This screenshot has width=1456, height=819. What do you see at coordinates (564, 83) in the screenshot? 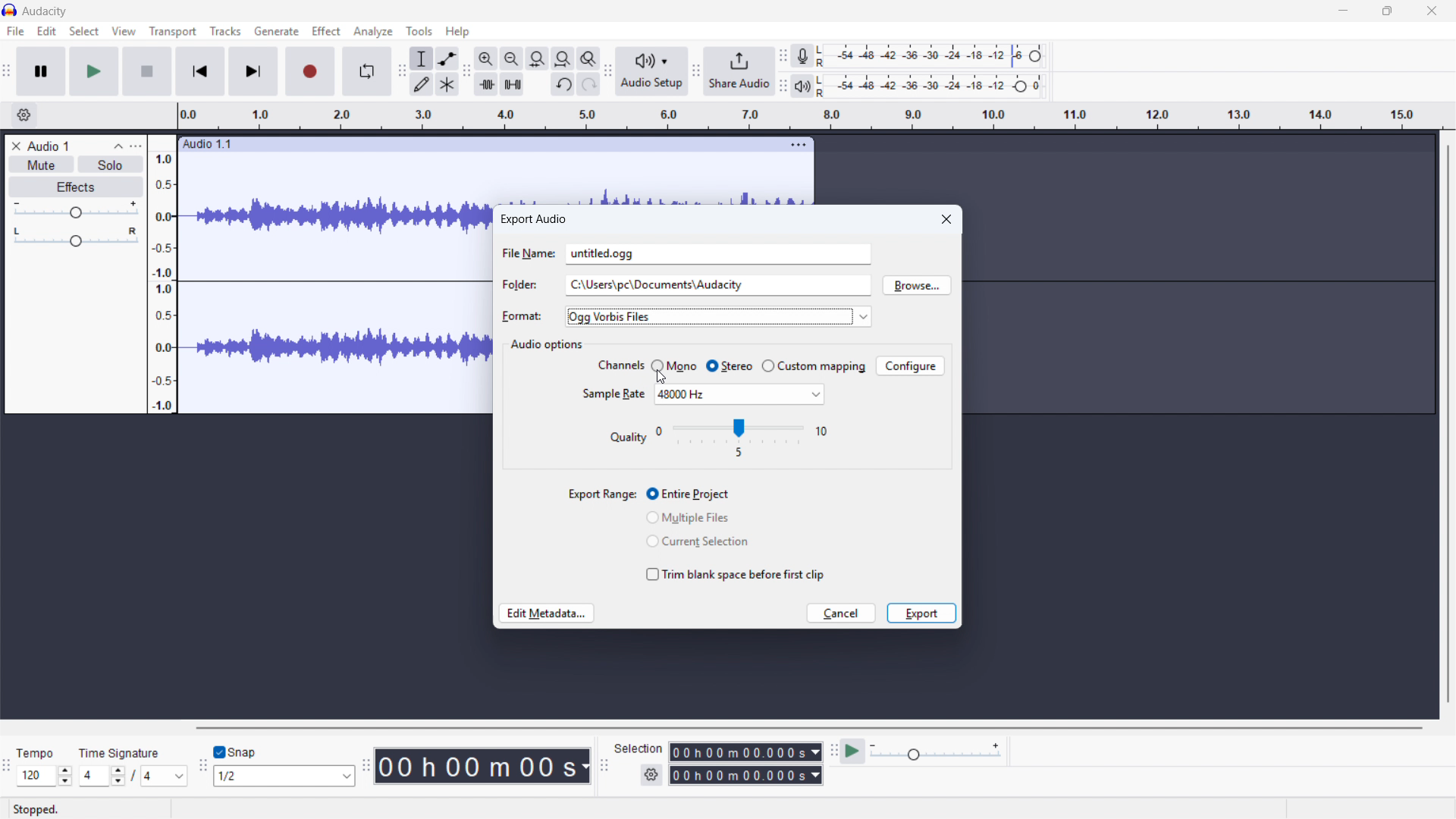
I see `Undo ` at bounding box center [564, 83].